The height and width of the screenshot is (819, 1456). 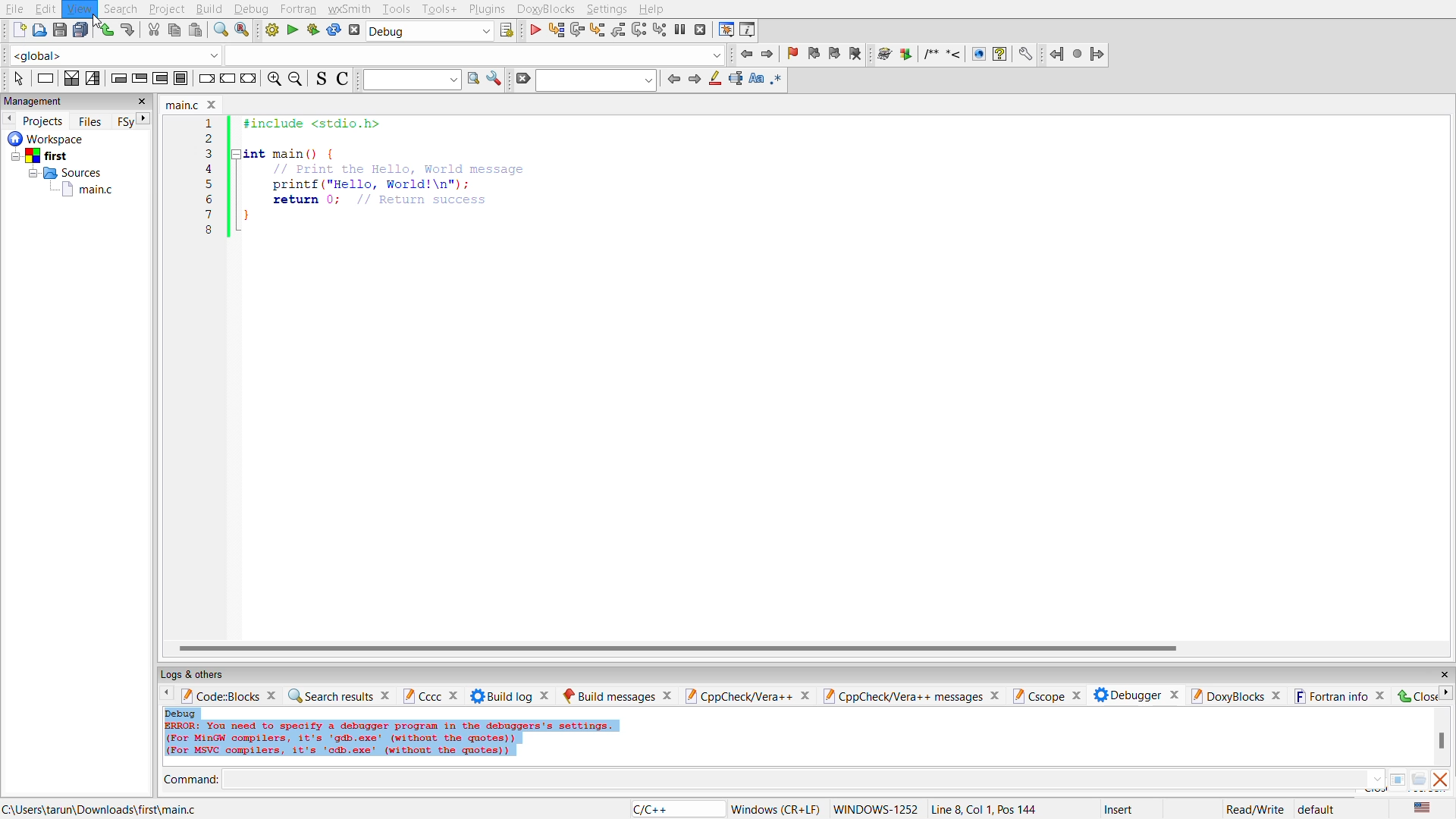 What do you see at coordinates (297, 78) in the screenshot?
I see `zoom out` at bounding box center [297, 78].